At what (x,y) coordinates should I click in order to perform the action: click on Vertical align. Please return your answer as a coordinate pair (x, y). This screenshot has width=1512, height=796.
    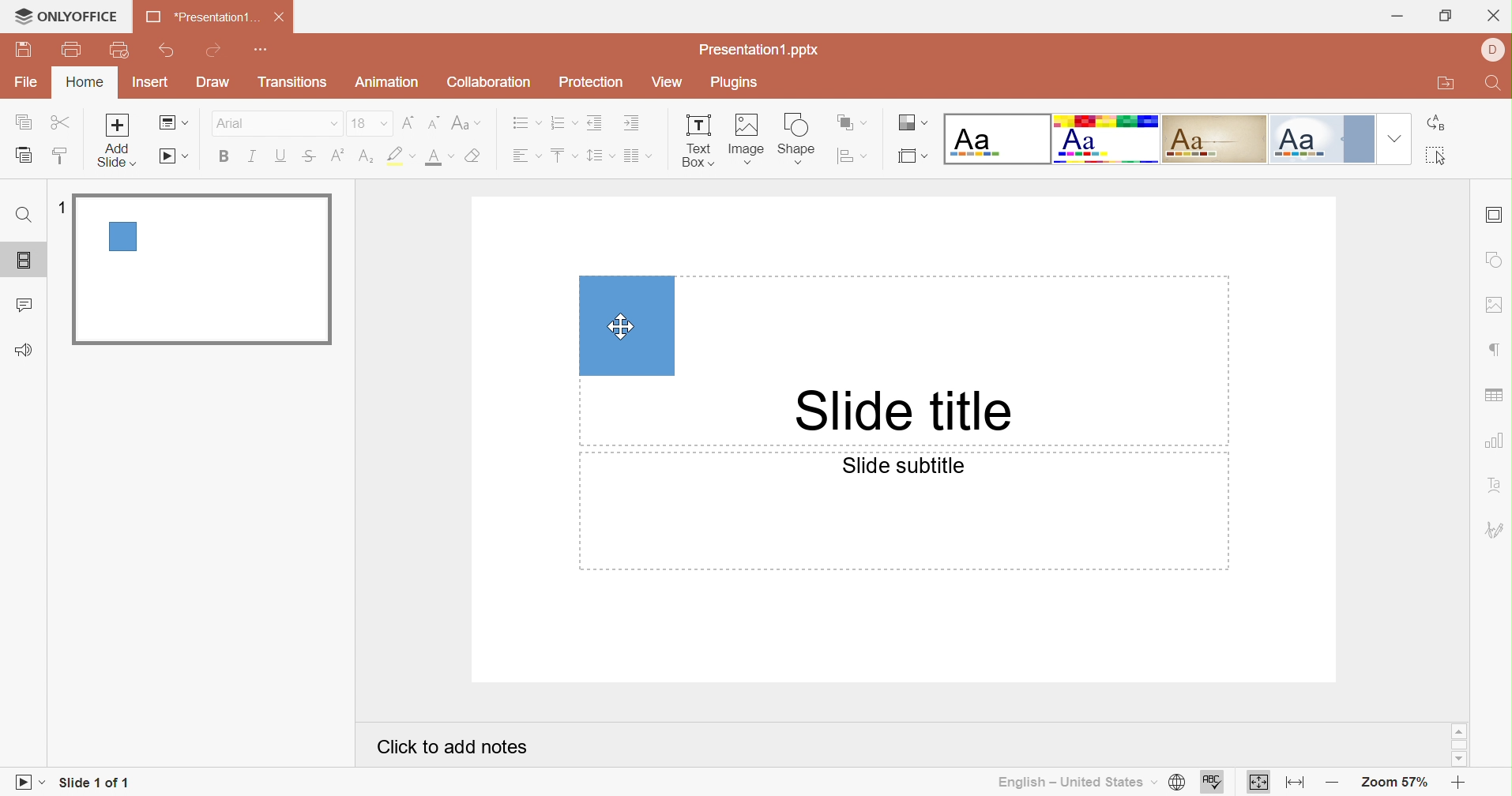
    Looking at the image, I should click on (564, 156).